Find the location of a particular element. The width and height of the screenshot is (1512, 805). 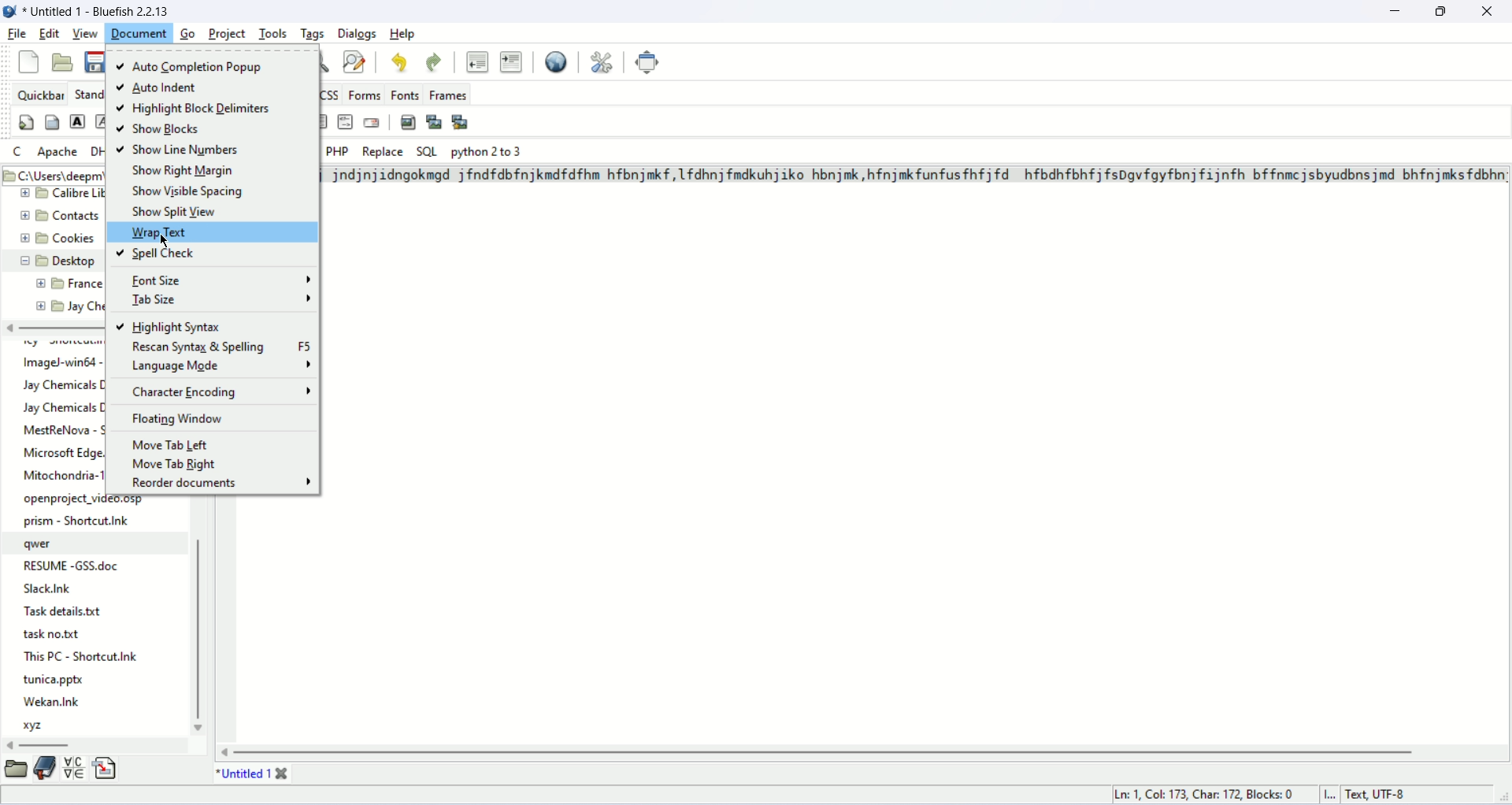

forms is located at coordinates (365, 95).